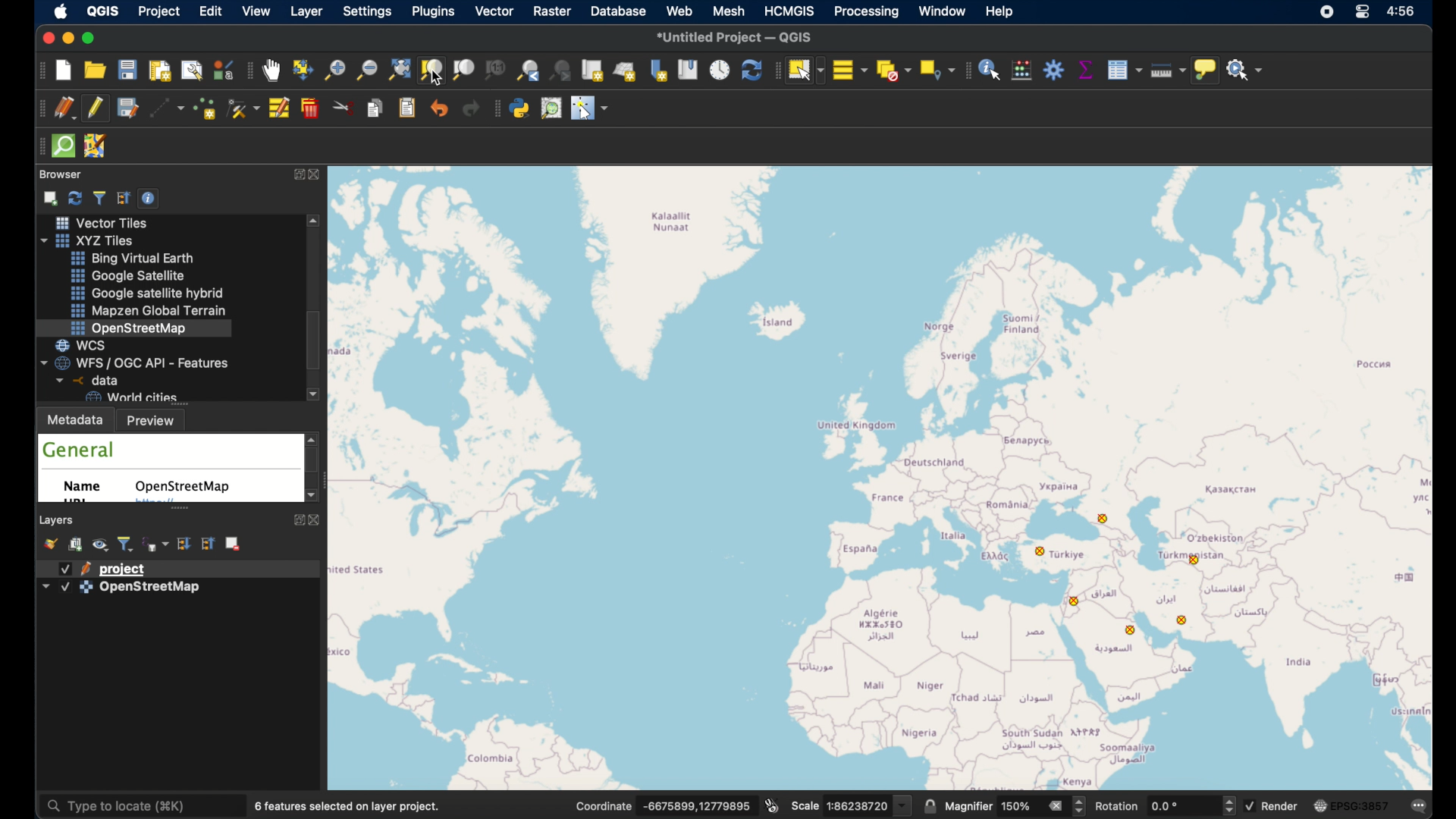 This screenshot has height=819, width=1456. What do you see at coordinates (96, 146) in the screenshot?
I see `josh remote` at bounding box center [96, 146].